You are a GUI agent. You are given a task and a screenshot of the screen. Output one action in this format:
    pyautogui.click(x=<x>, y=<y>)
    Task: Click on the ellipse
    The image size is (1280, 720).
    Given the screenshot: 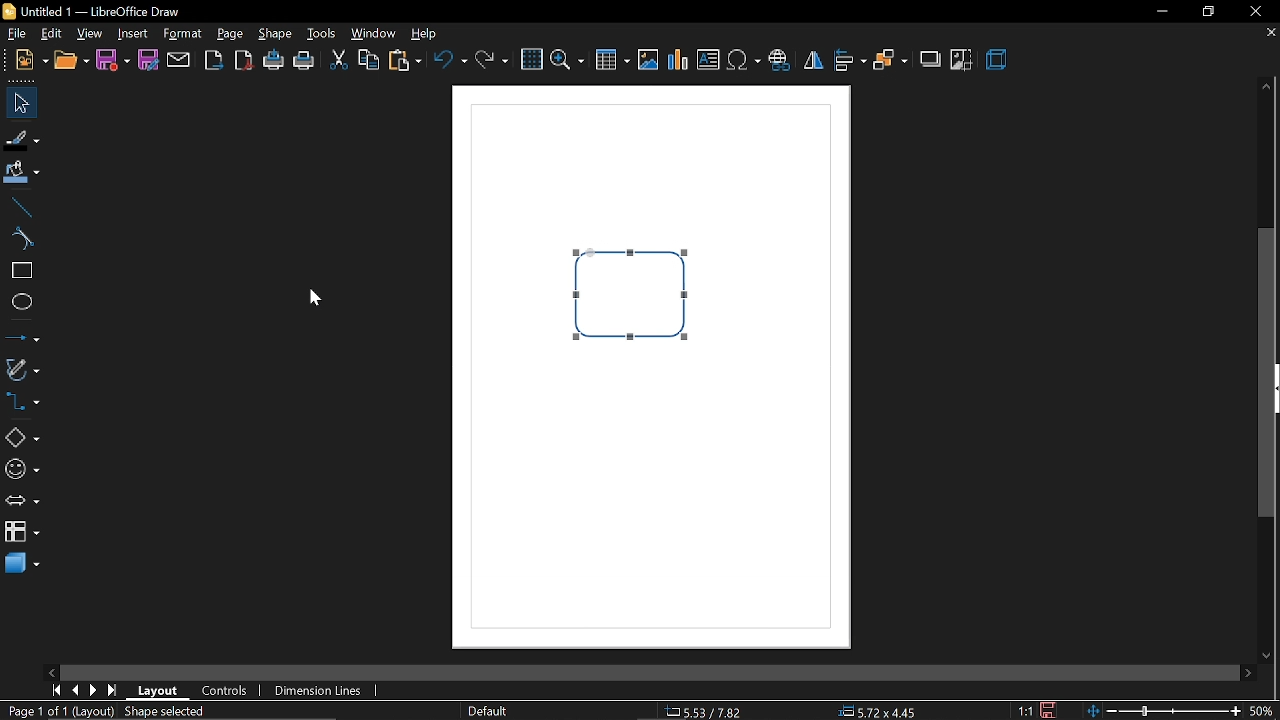 What is the action you would take?
    pyautogui.click(x=22, y=305)
    